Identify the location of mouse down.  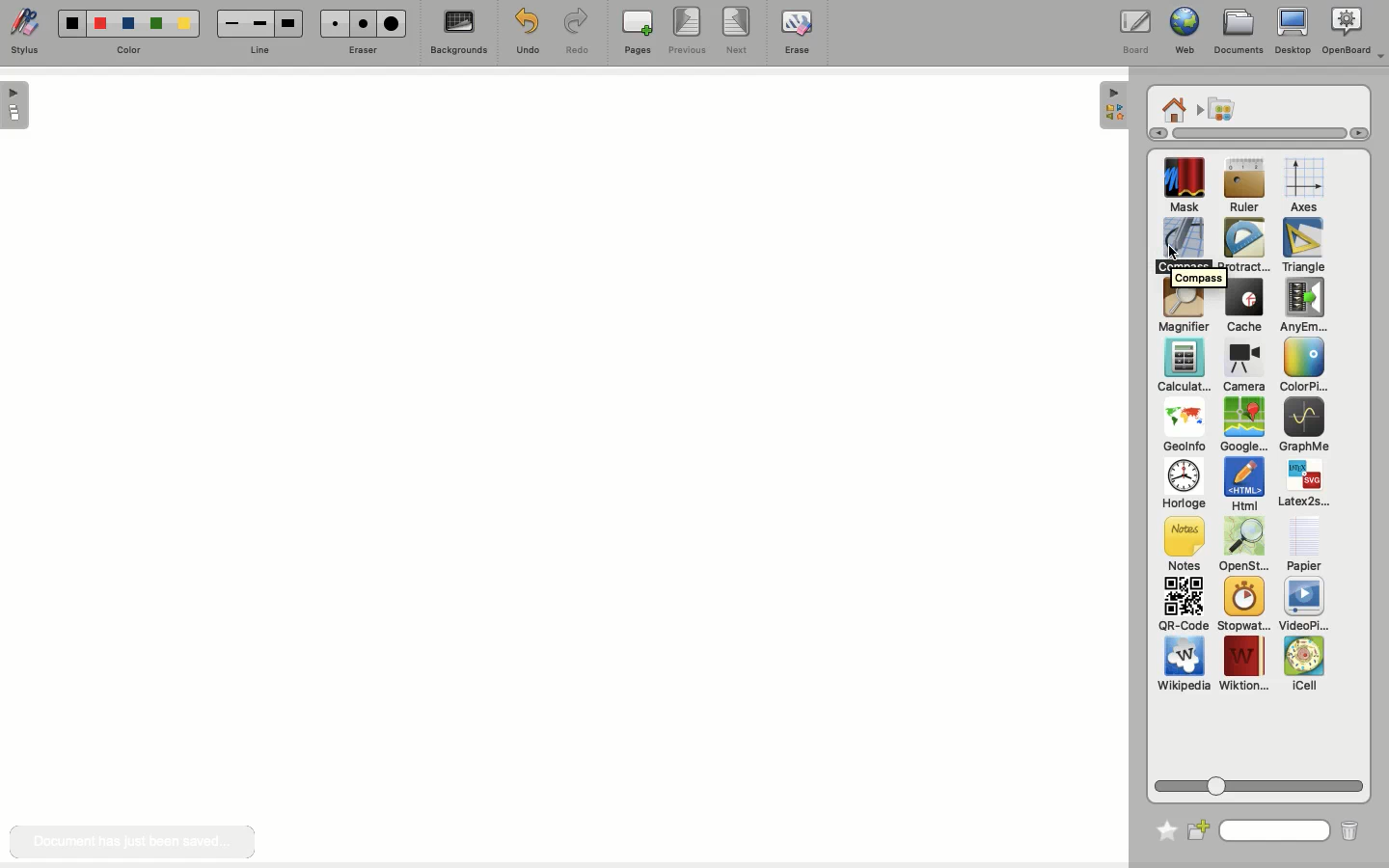
(1173, 251).